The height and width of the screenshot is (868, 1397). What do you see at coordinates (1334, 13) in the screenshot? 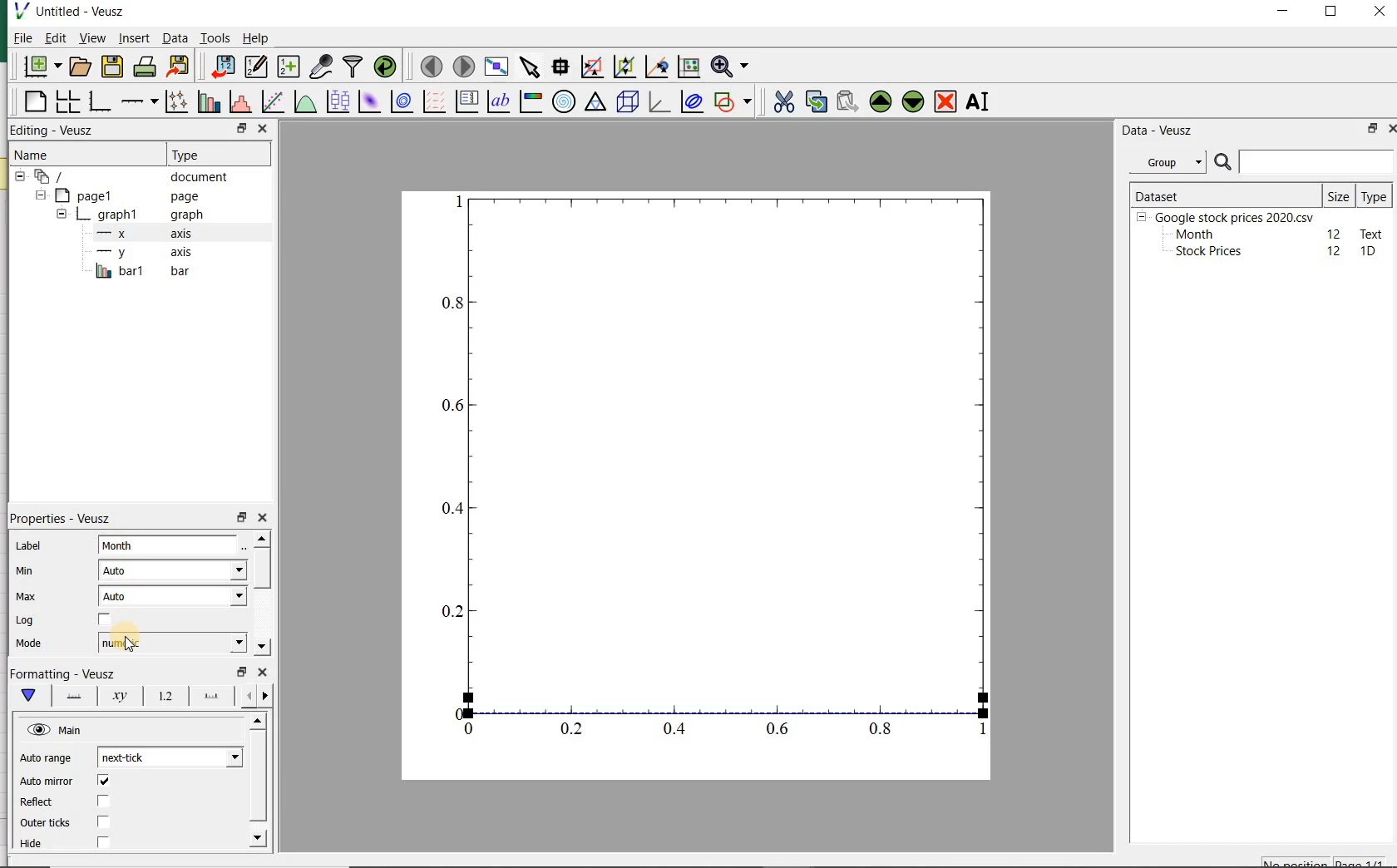
I see `maximize` at bounding box center [1334, 13].